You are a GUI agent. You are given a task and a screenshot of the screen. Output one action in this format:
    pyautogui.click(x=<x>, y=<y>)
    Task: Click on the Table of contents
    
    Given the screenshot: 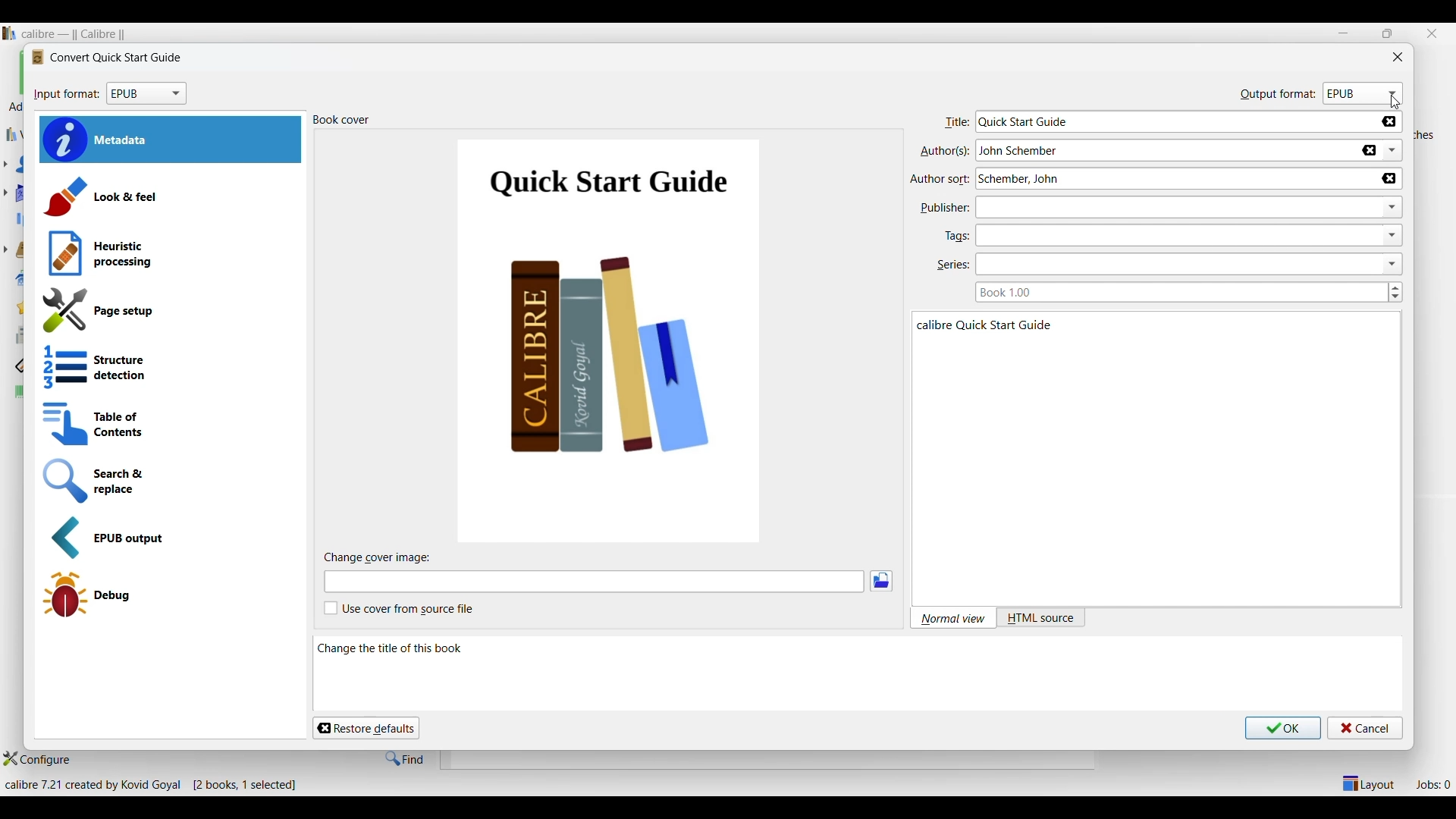 What is the action you would take?
    pyautogui.click(x=168, y=425)
    